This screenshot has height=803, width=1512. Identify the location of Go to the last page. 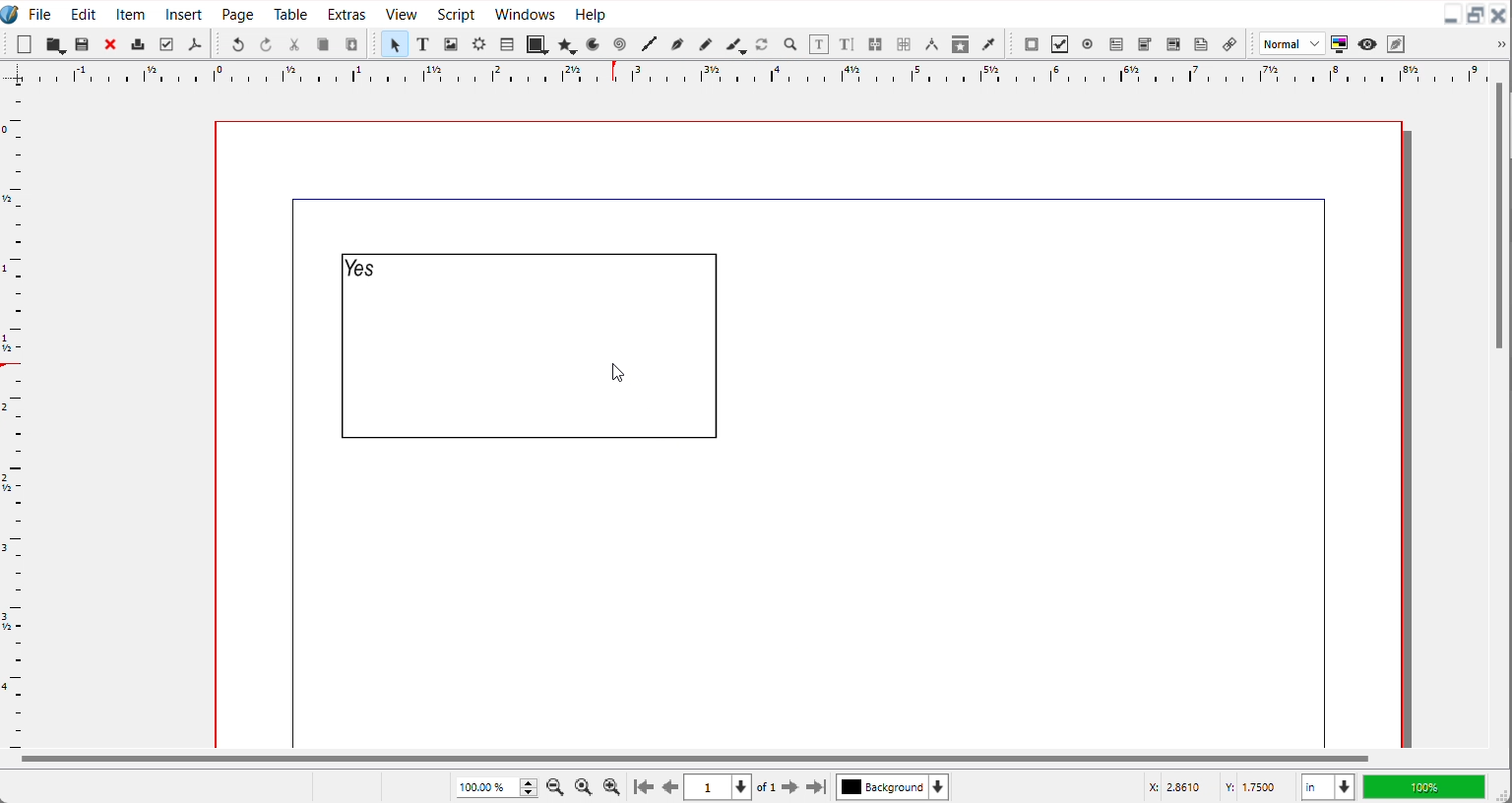
(816, 787).